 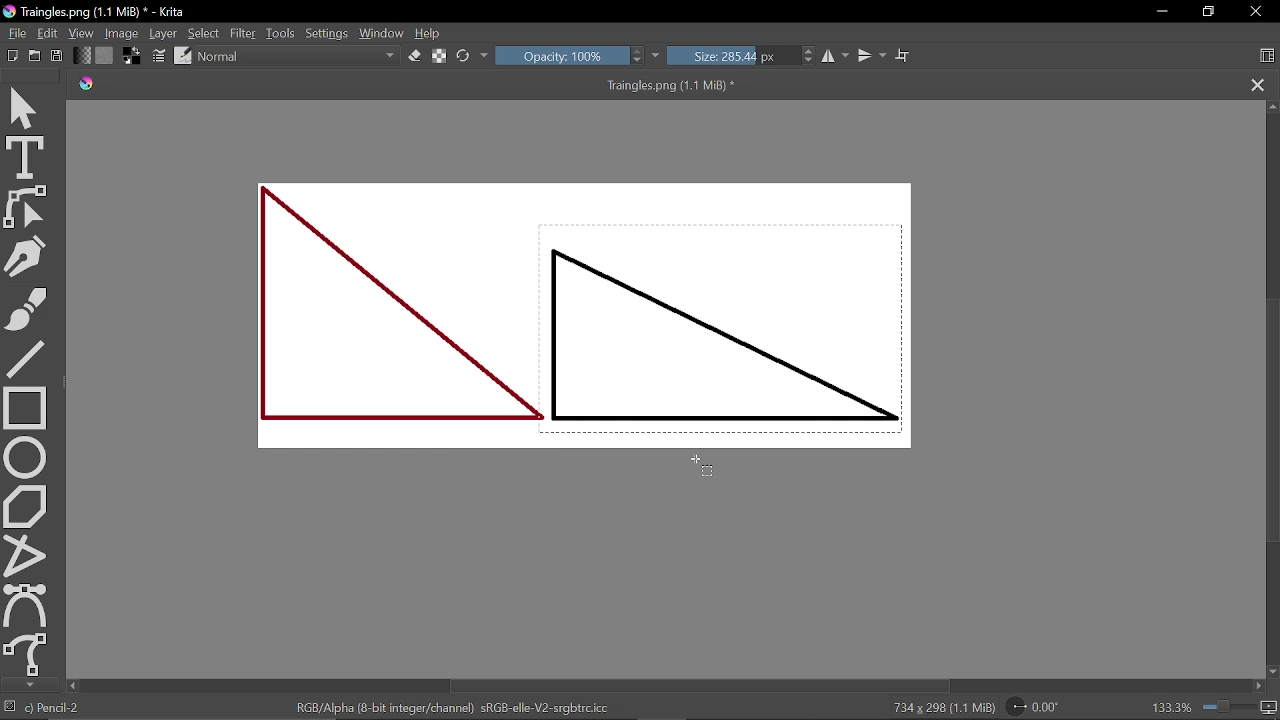 I want to click on Normal, so click(x=298, y=57).